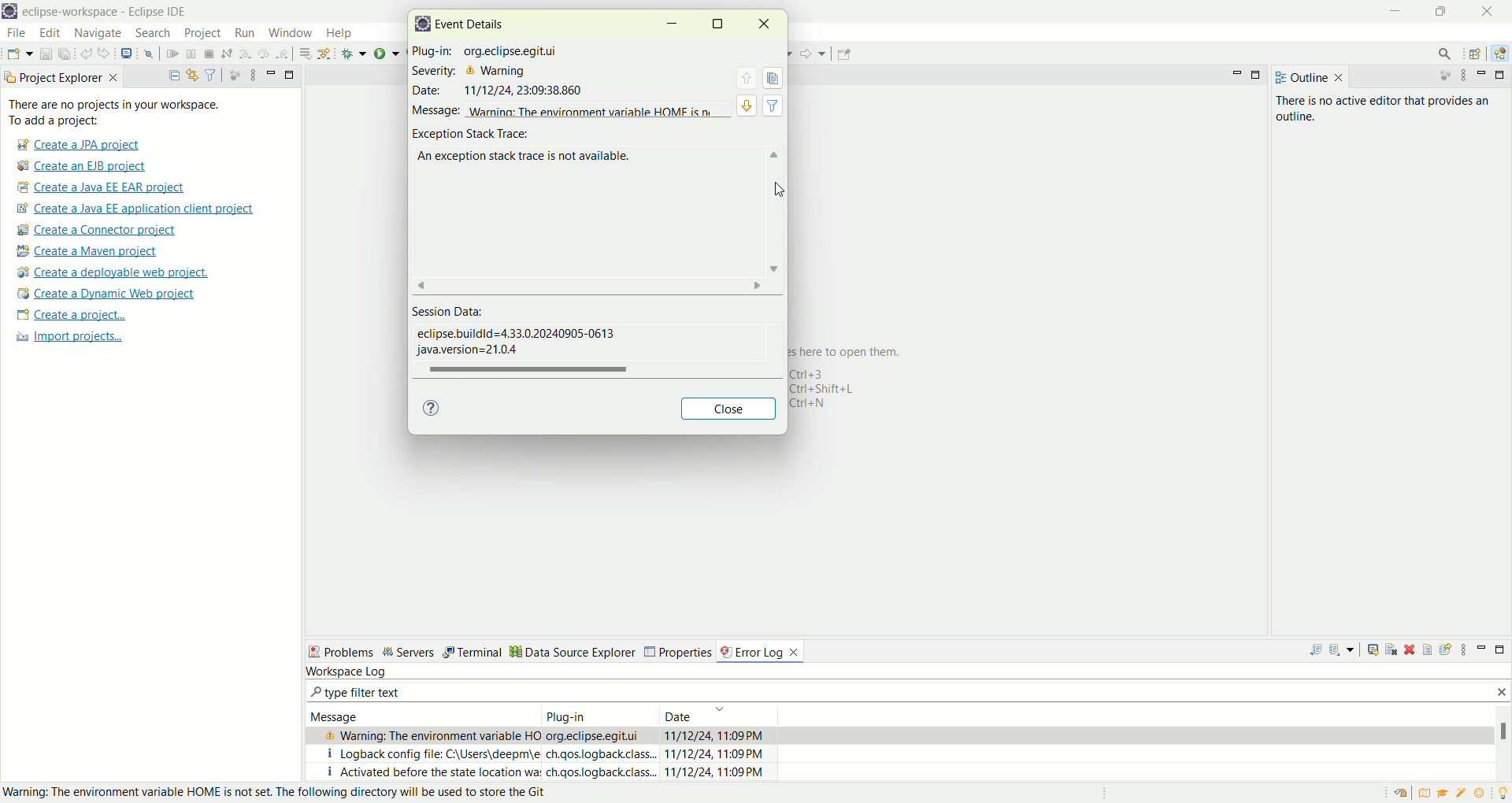 The width and height of the screenshot is (1512, 803). I want to click on help, so click(336, 33).